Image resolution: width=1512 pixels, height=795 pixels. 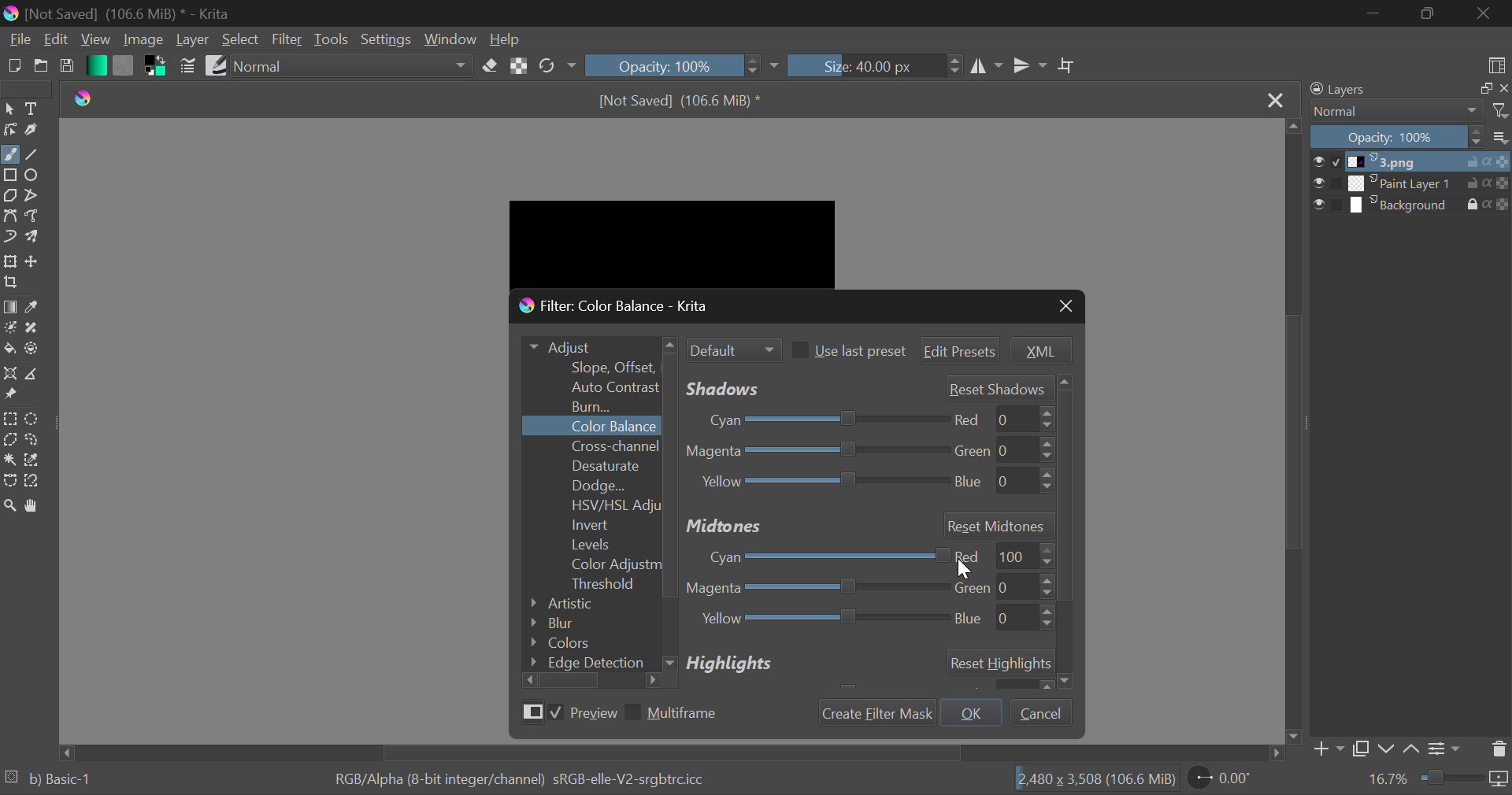 I want to click on move left, so click(x=69, y=751).